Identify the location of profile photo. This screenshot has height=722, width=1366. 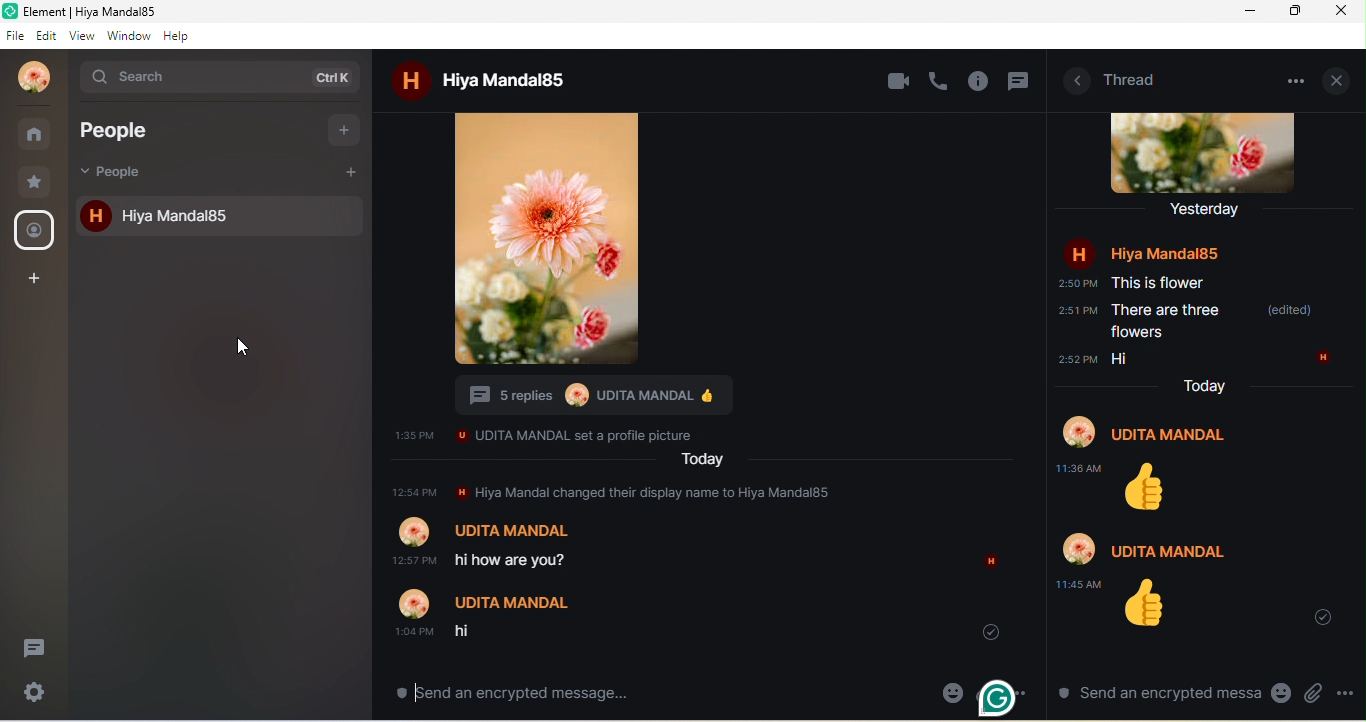
(550, 241).